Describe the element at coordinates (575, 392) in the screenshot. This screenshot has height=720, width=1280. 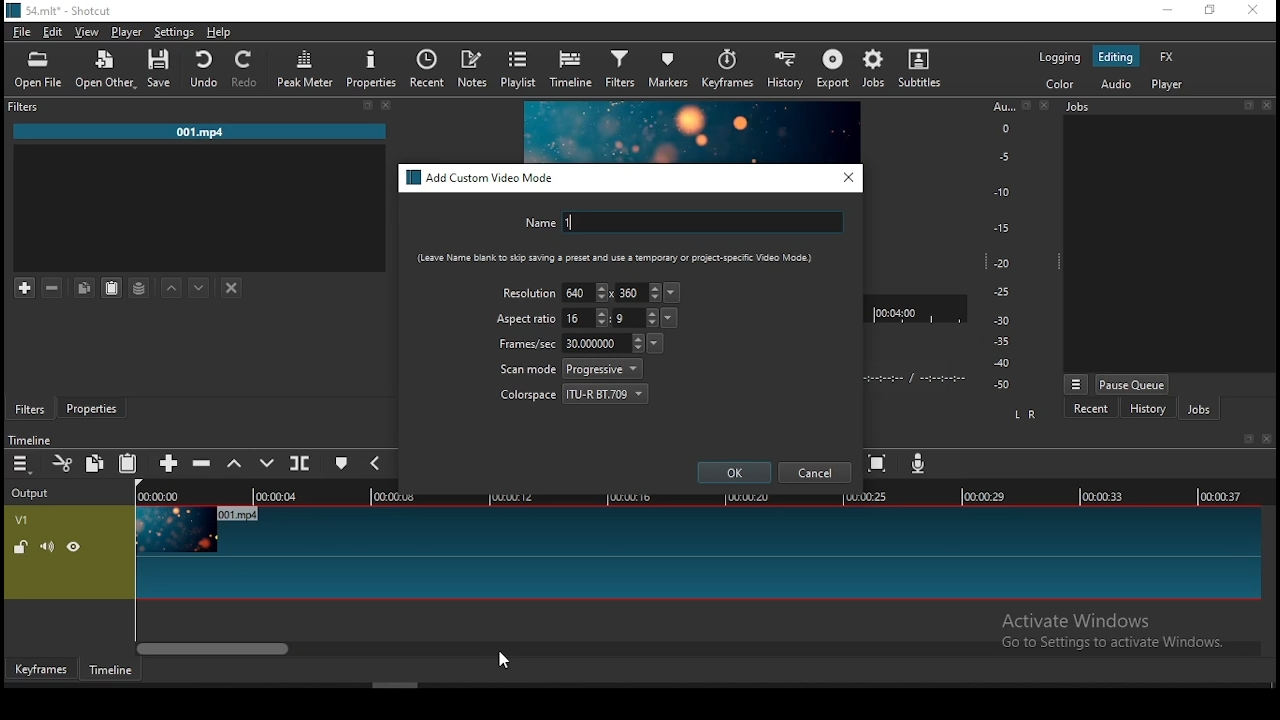
I see `colorspace` at that location.